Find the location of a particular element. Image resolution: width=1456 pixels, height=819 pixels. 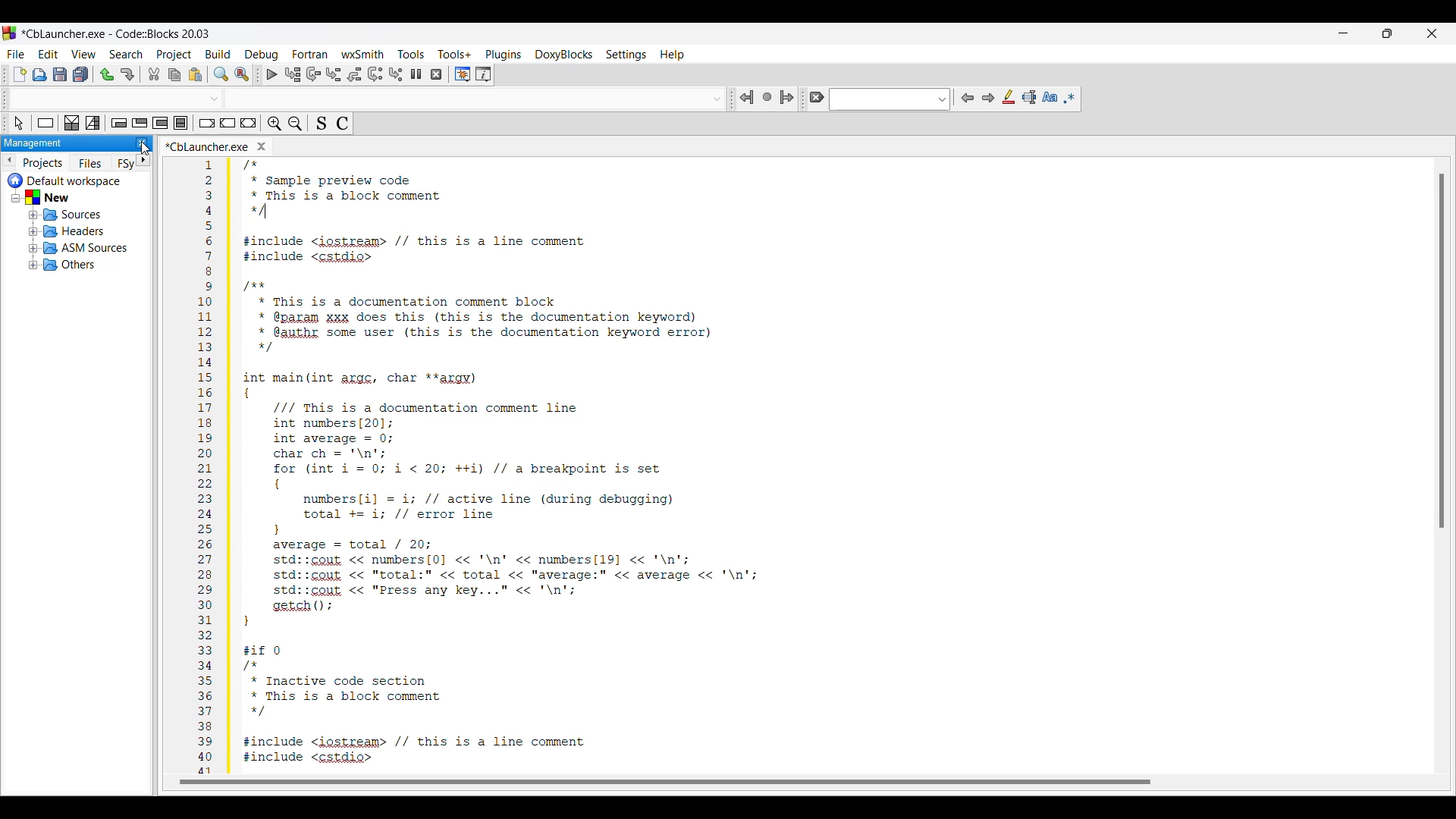

Project name, software name and version is located at coordinates (115, 33).